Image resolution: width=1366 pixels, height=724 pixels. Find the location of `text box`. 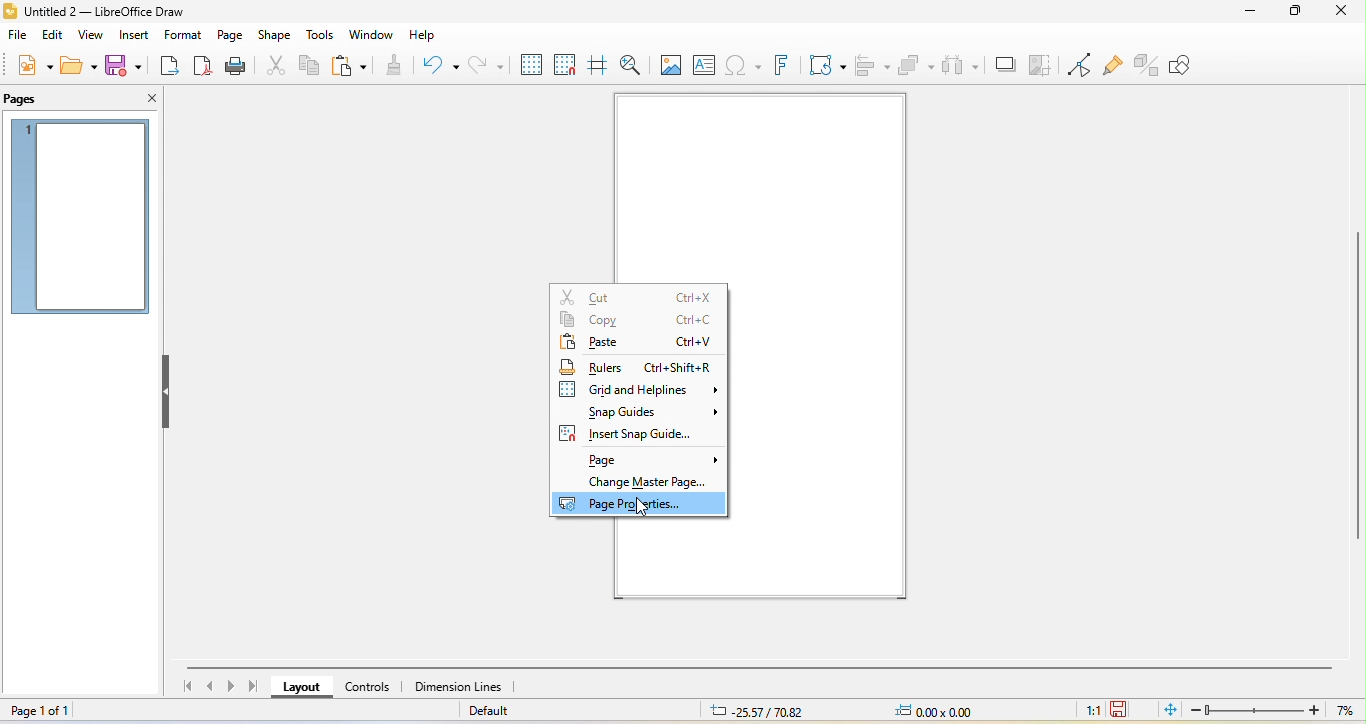

text box is located at coordinates (703, 65).